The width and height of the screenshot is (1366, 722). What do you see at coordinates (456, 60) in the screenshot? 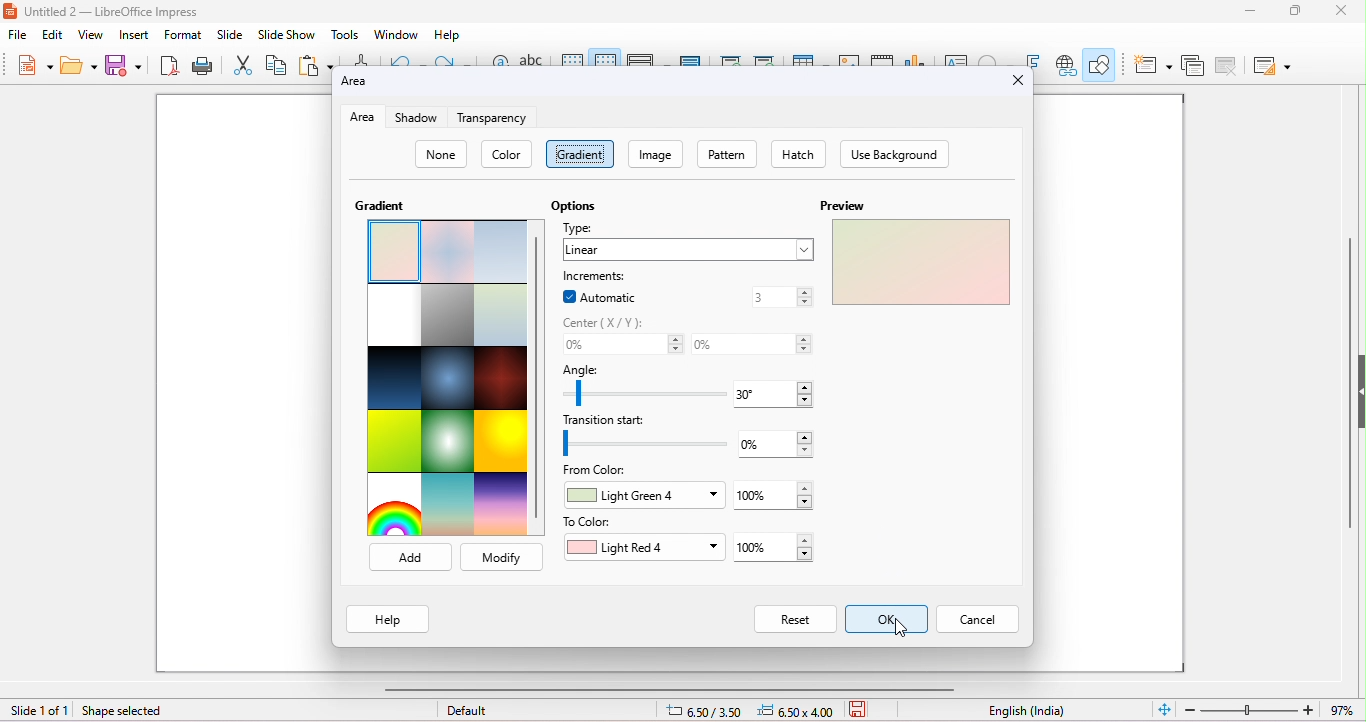
I see `redo` at bounding box center [456, 60].